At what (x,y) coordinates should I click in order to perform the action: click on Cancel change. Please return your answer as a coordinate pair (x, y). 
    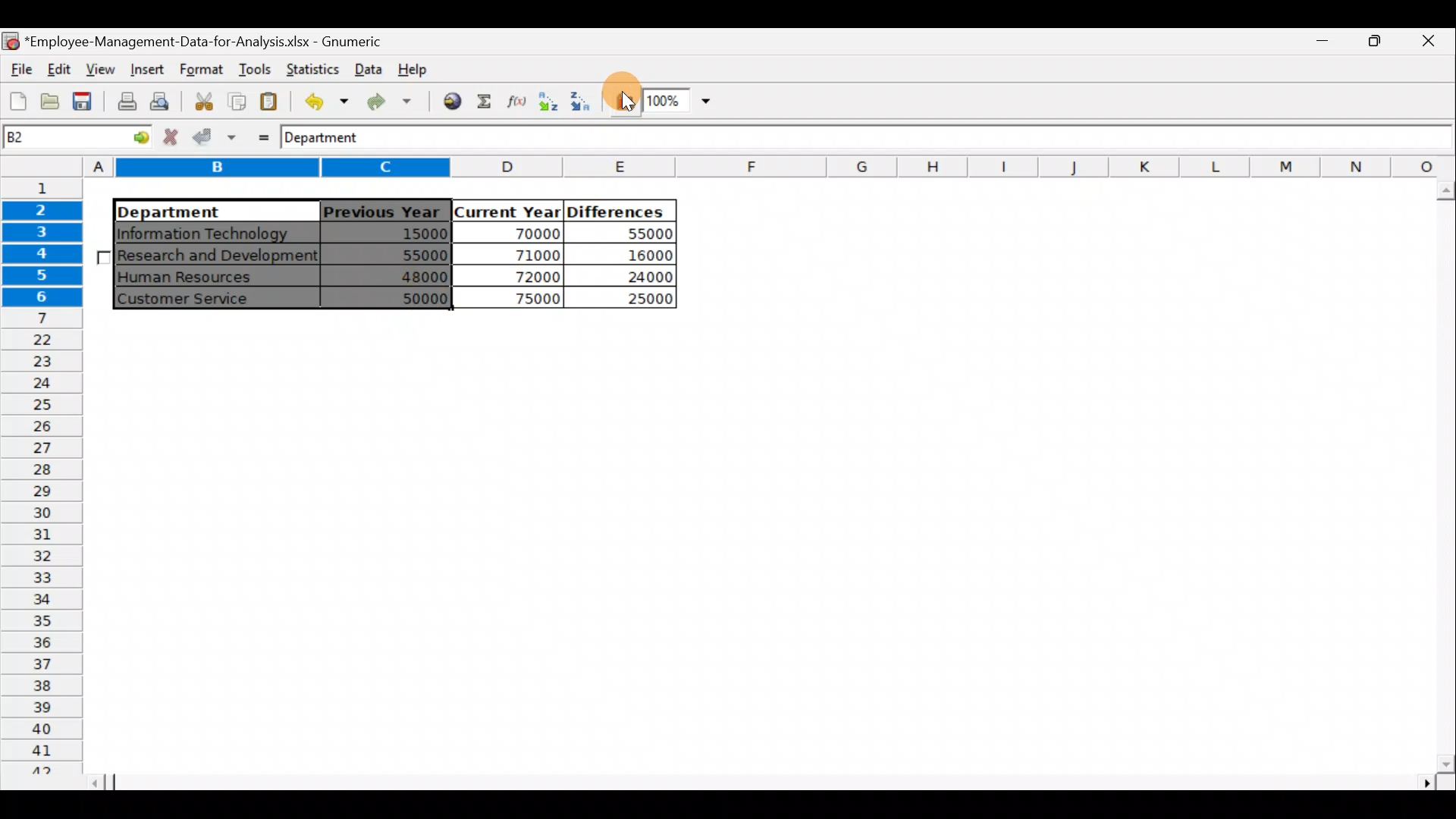
    Looking at the image, I should click on (172, 138).